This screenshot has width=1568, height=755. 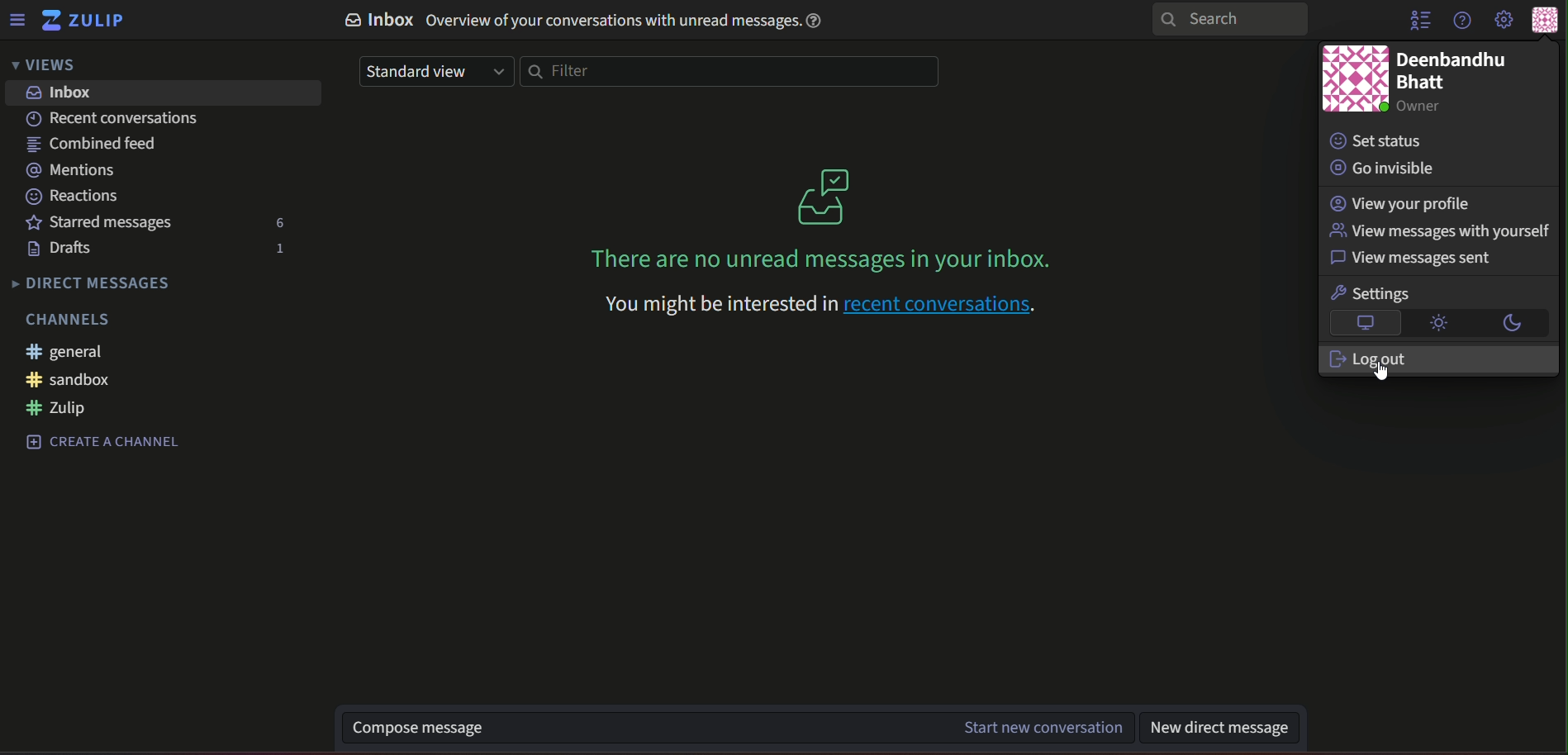 What do you see at coordinates (107, 443) in the screenshot?
I see `text` at bounding box center [107, 443].